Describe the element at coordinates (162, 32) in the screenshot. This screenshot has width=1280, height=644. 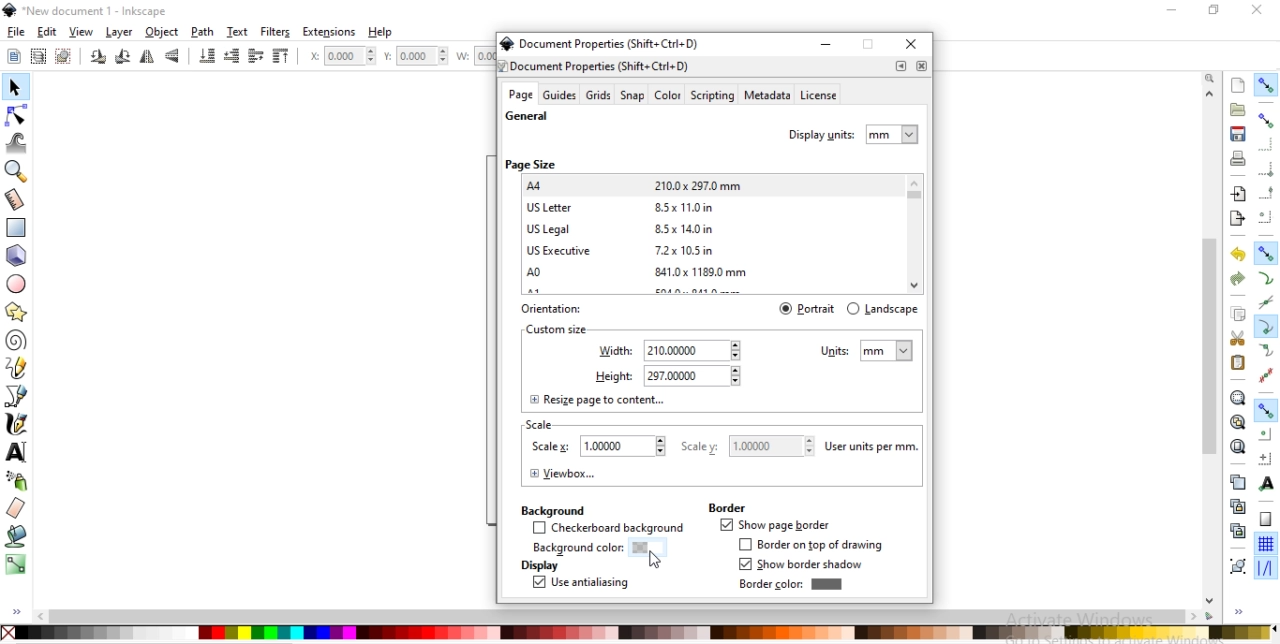
I see `object` at that location.